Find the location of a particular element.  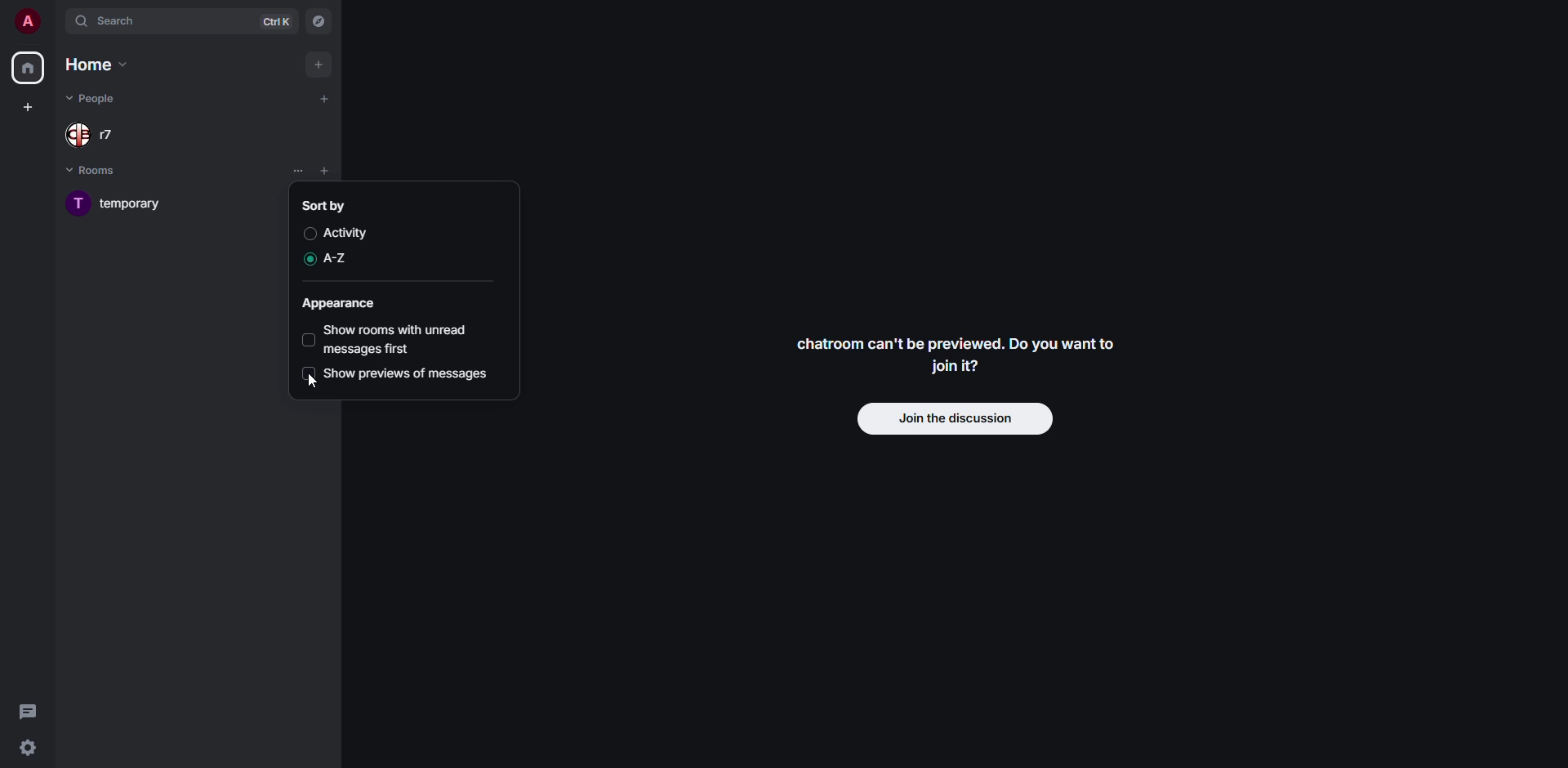

enabled is located at coordinates (307, 260).